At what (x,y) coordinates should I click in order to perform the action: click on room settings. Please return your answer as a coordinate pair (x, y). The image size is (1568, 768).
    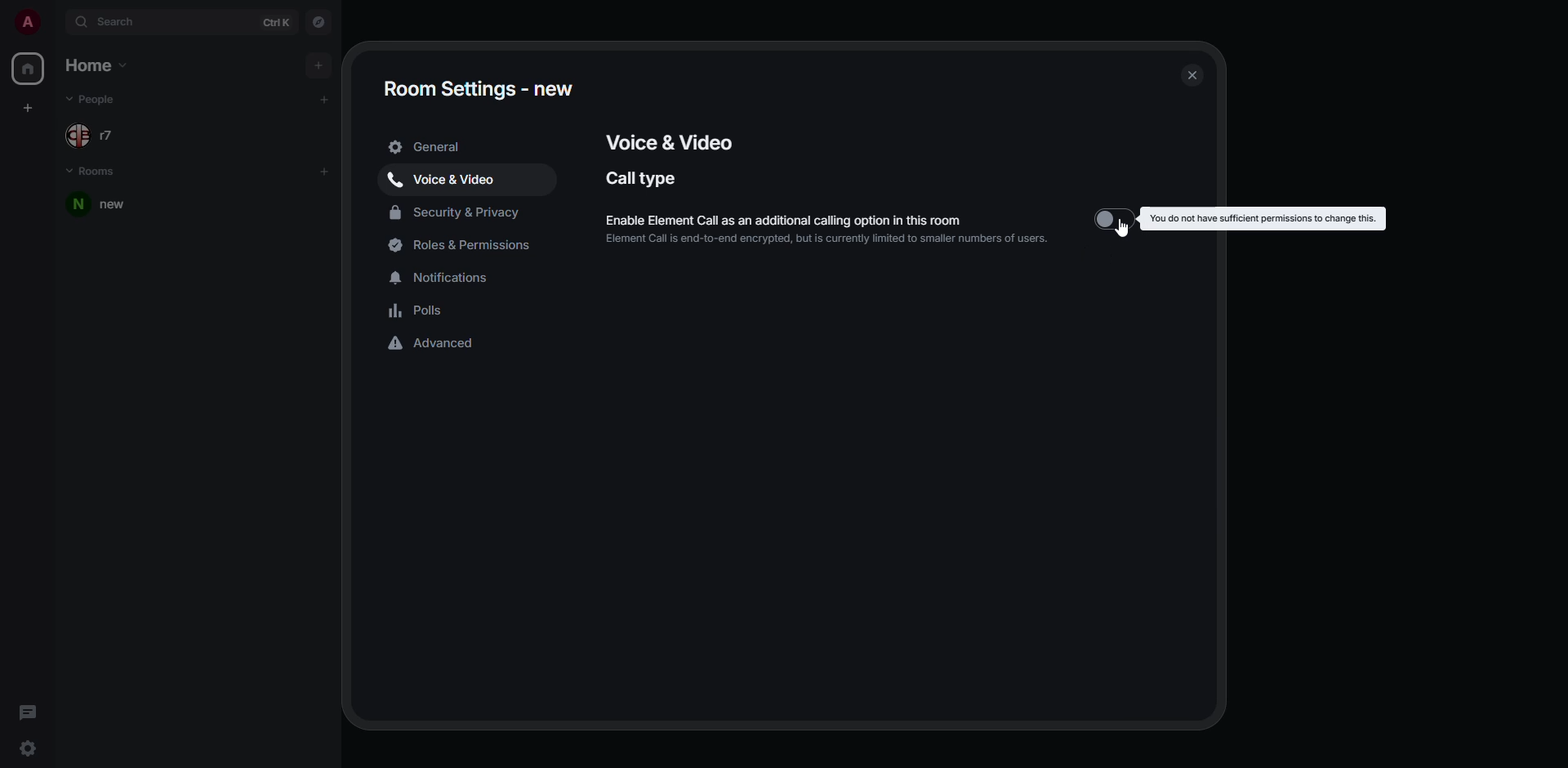
    Looking at the image, I should click on (476, 87).